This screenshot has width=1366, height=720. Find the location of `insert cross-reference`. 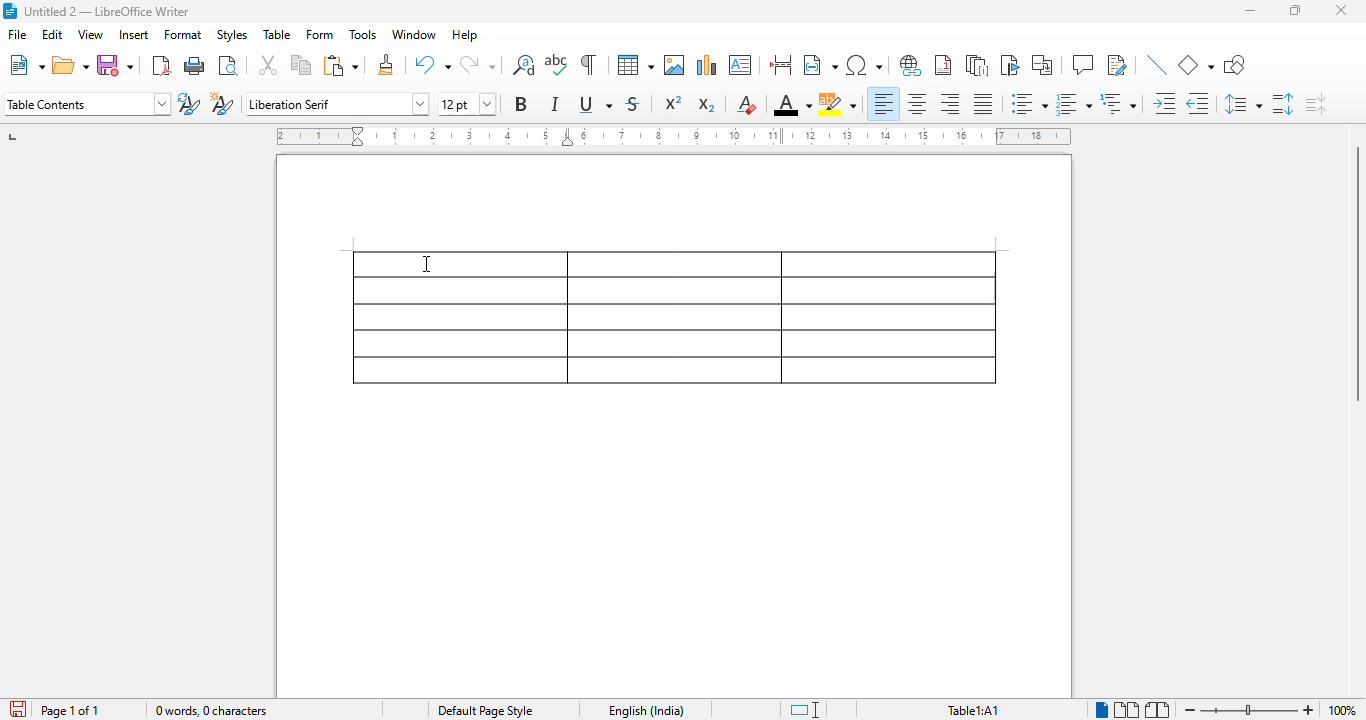

insert cross-reference is located at coordinates (1042, 64).